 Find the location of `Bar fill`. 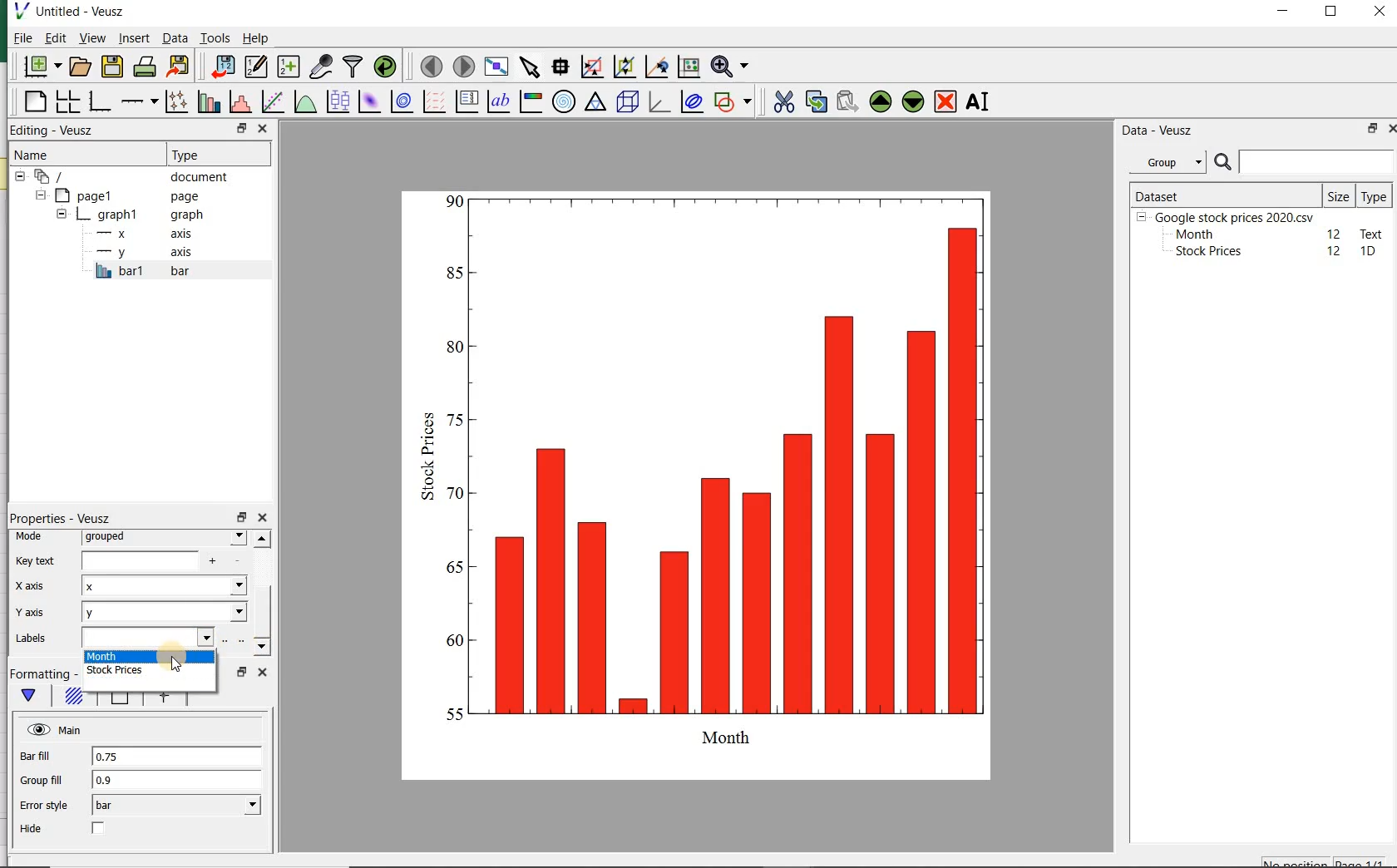

Bar fill is located at coordinates (36, 757).